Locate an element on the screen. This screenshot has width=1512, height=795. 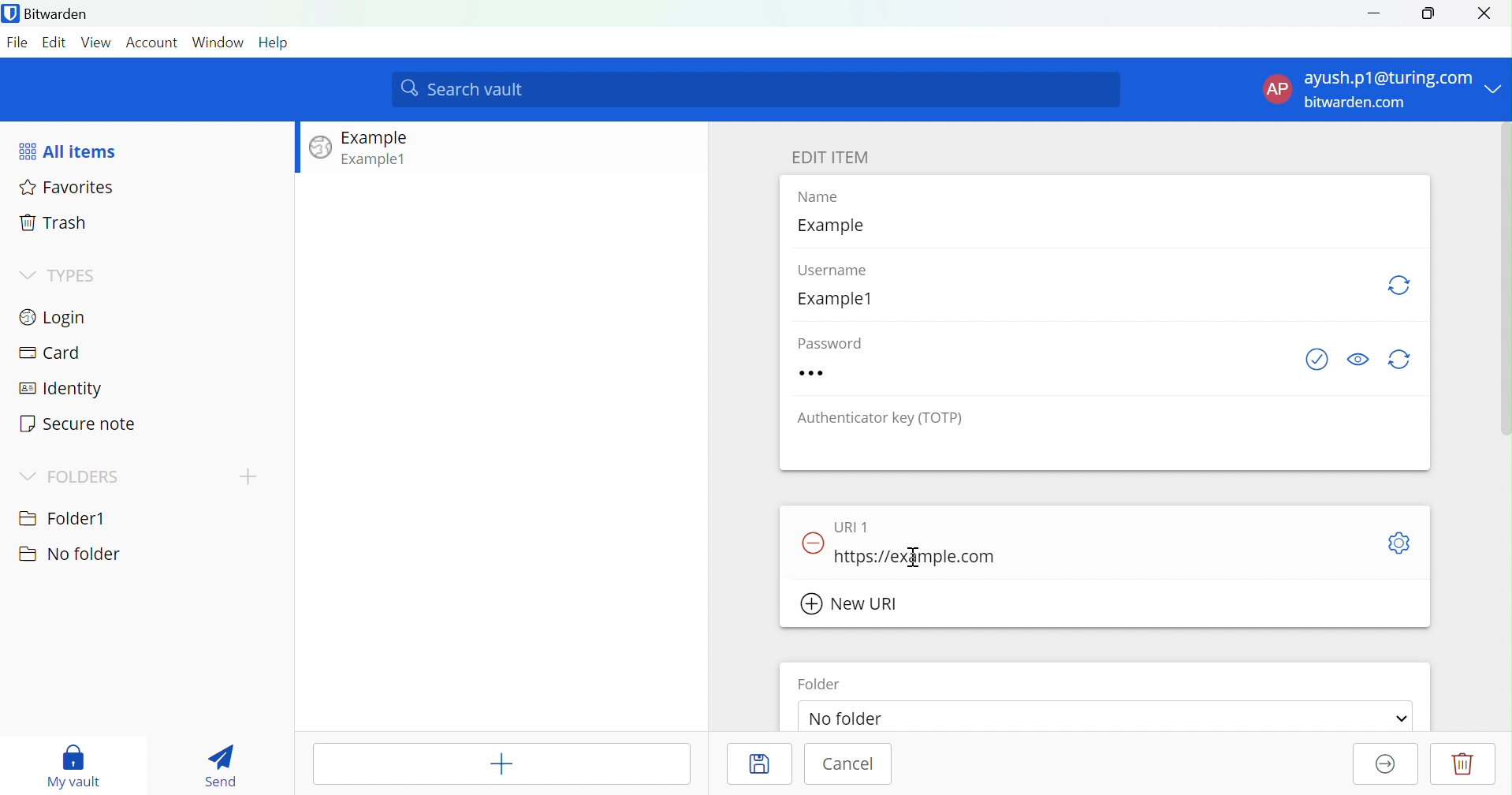
Search vault is located at coordinates (757, 90).